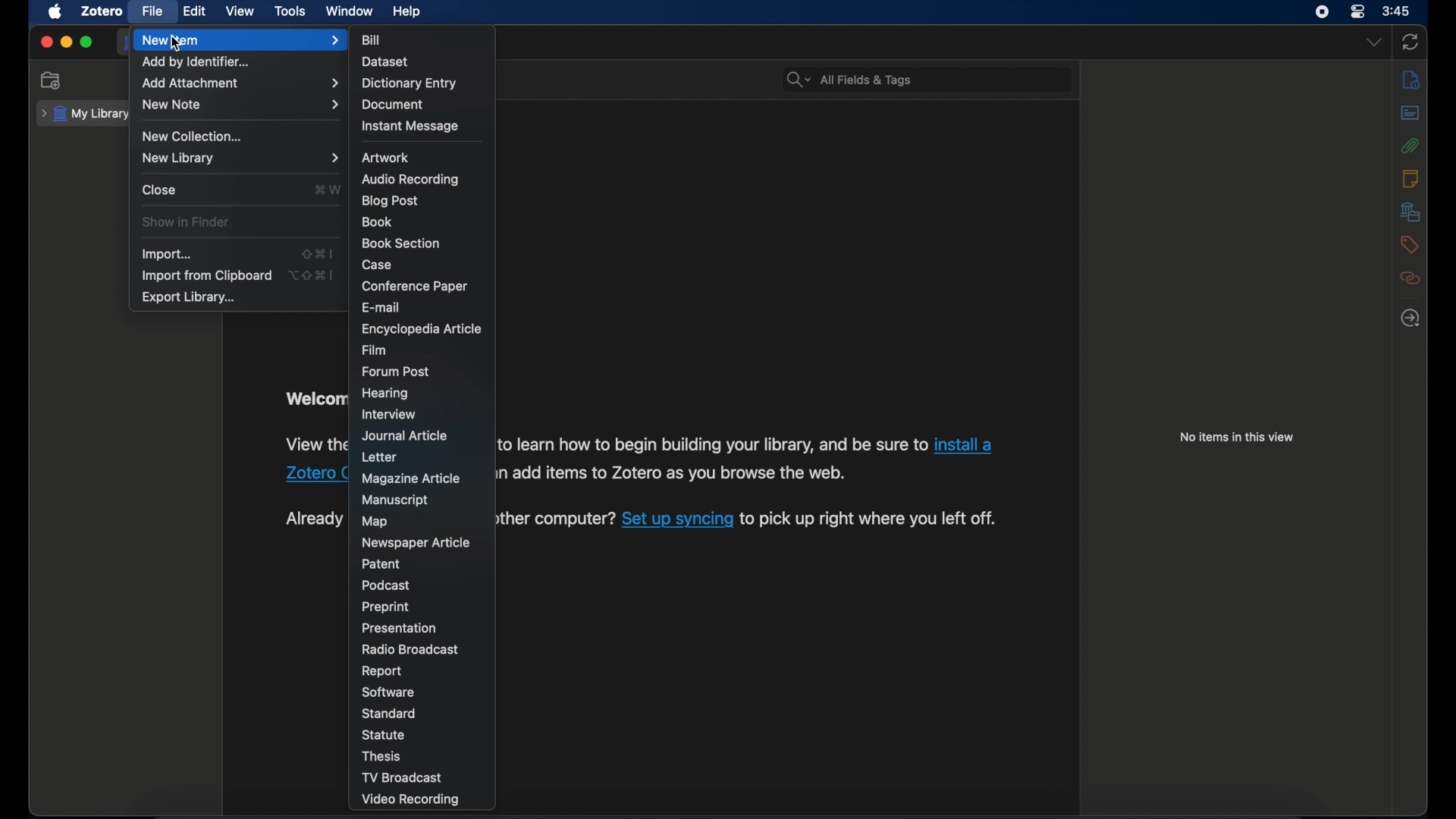  I want to click on sync, so click(1410, 41).